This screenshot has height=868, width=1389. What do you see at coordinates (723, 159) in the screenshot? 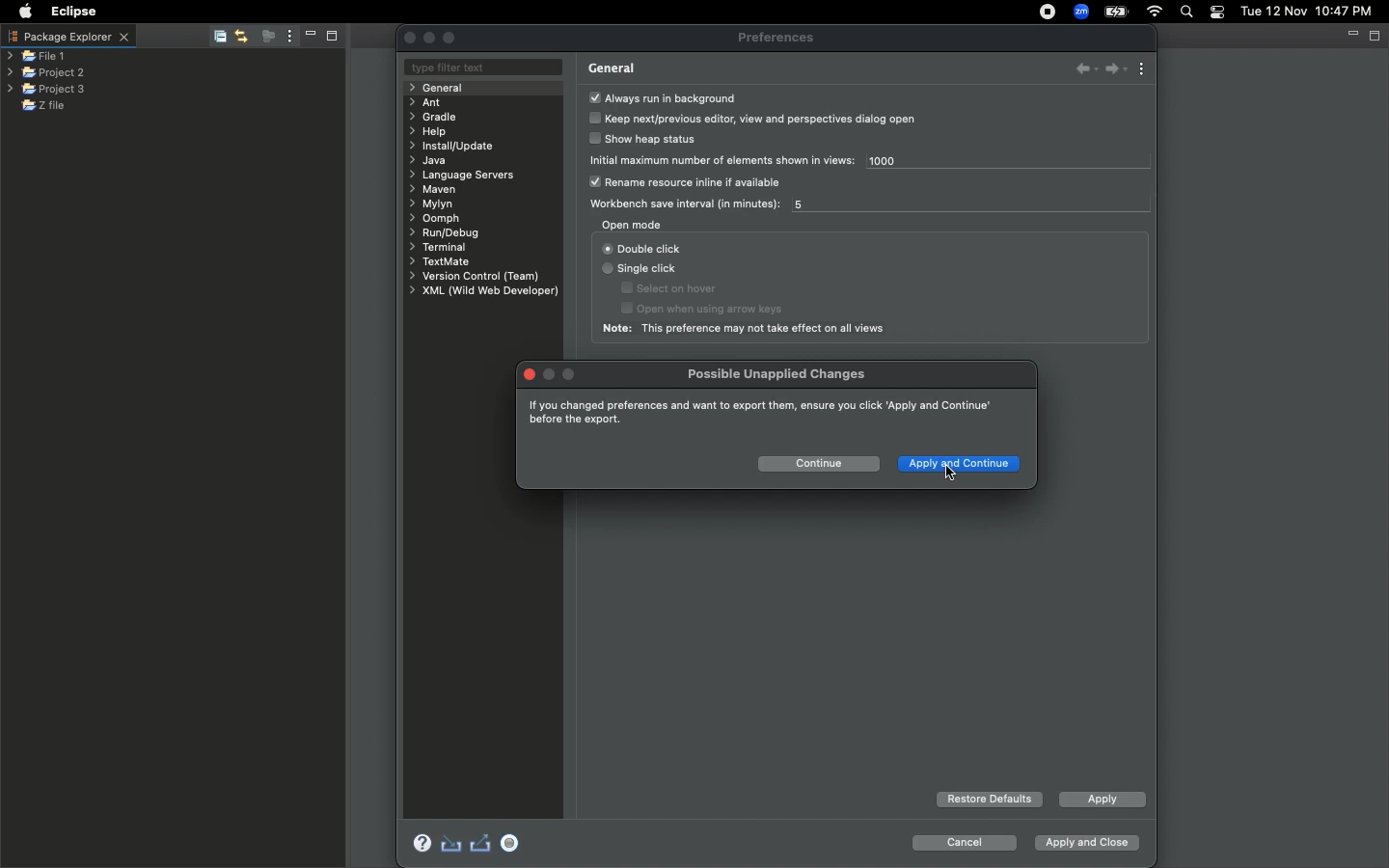
I see `Initial maximum number of elements shown in views` at bounding box center [723, 159].